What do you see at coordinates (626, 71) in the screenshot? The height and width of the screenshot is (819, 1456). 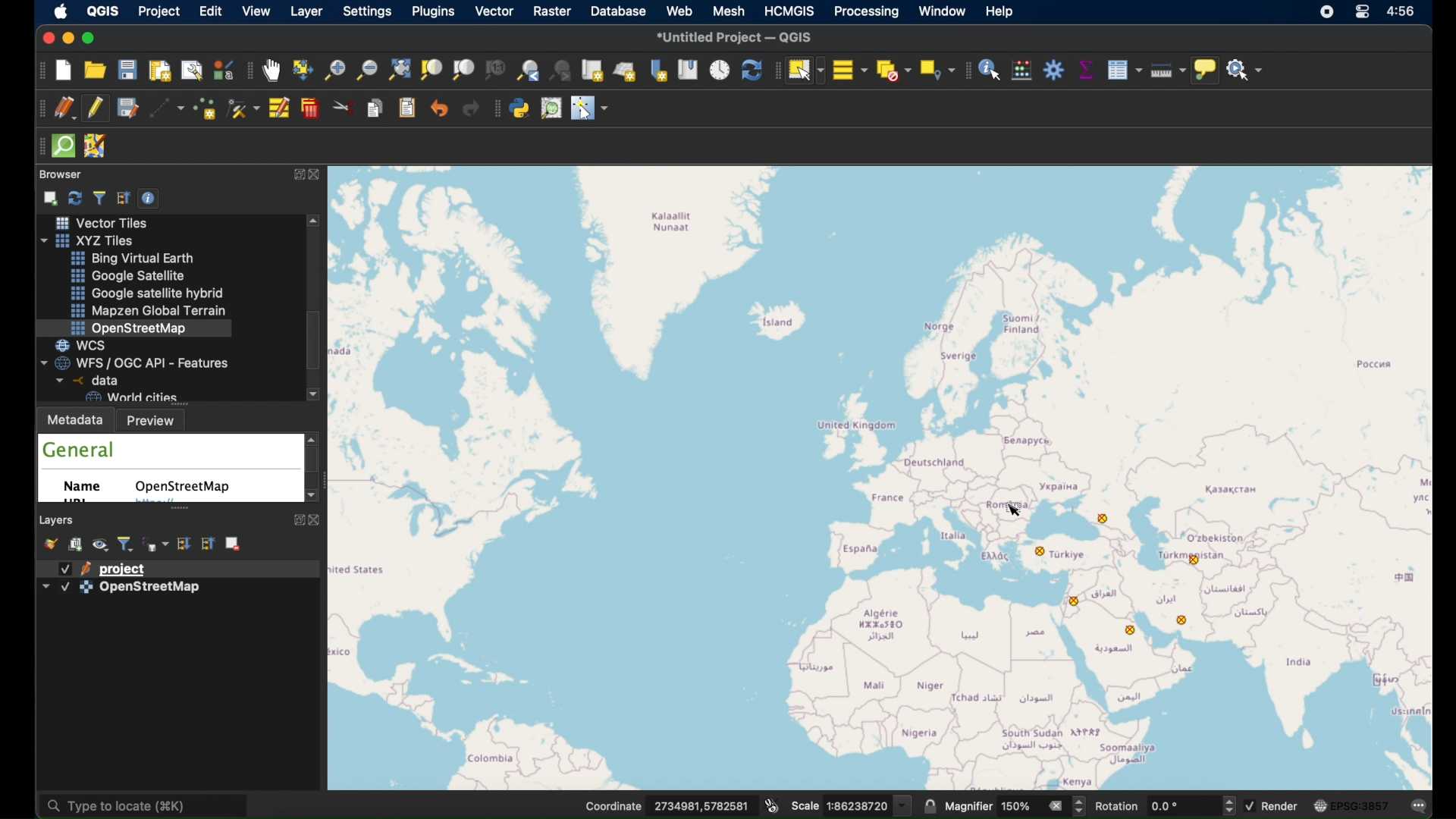 I see `new 3d map view` at bounding box center [626, 71].